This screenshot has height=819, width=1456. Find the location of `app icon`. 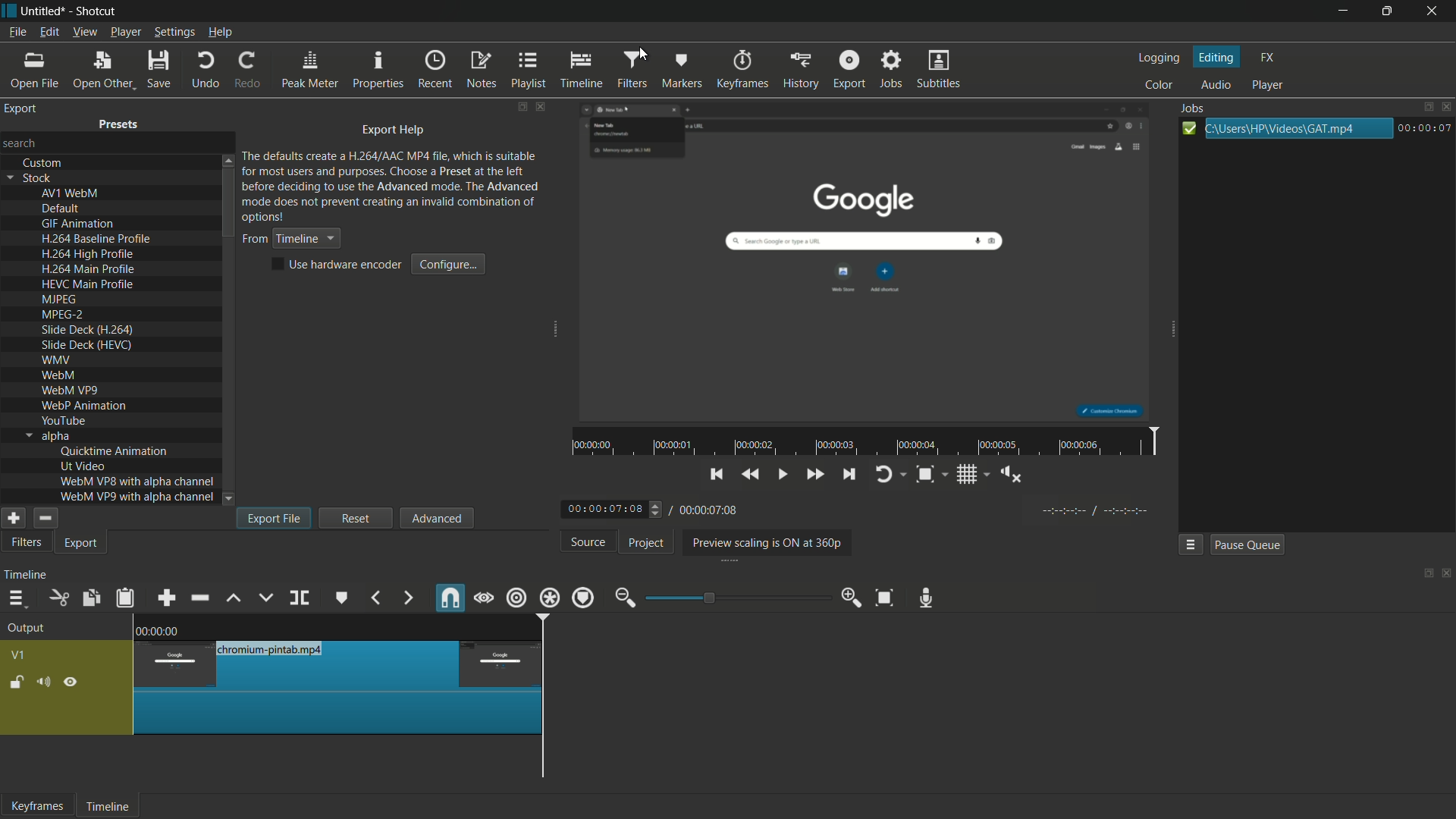

app icon is located at coordinates (9, 10).